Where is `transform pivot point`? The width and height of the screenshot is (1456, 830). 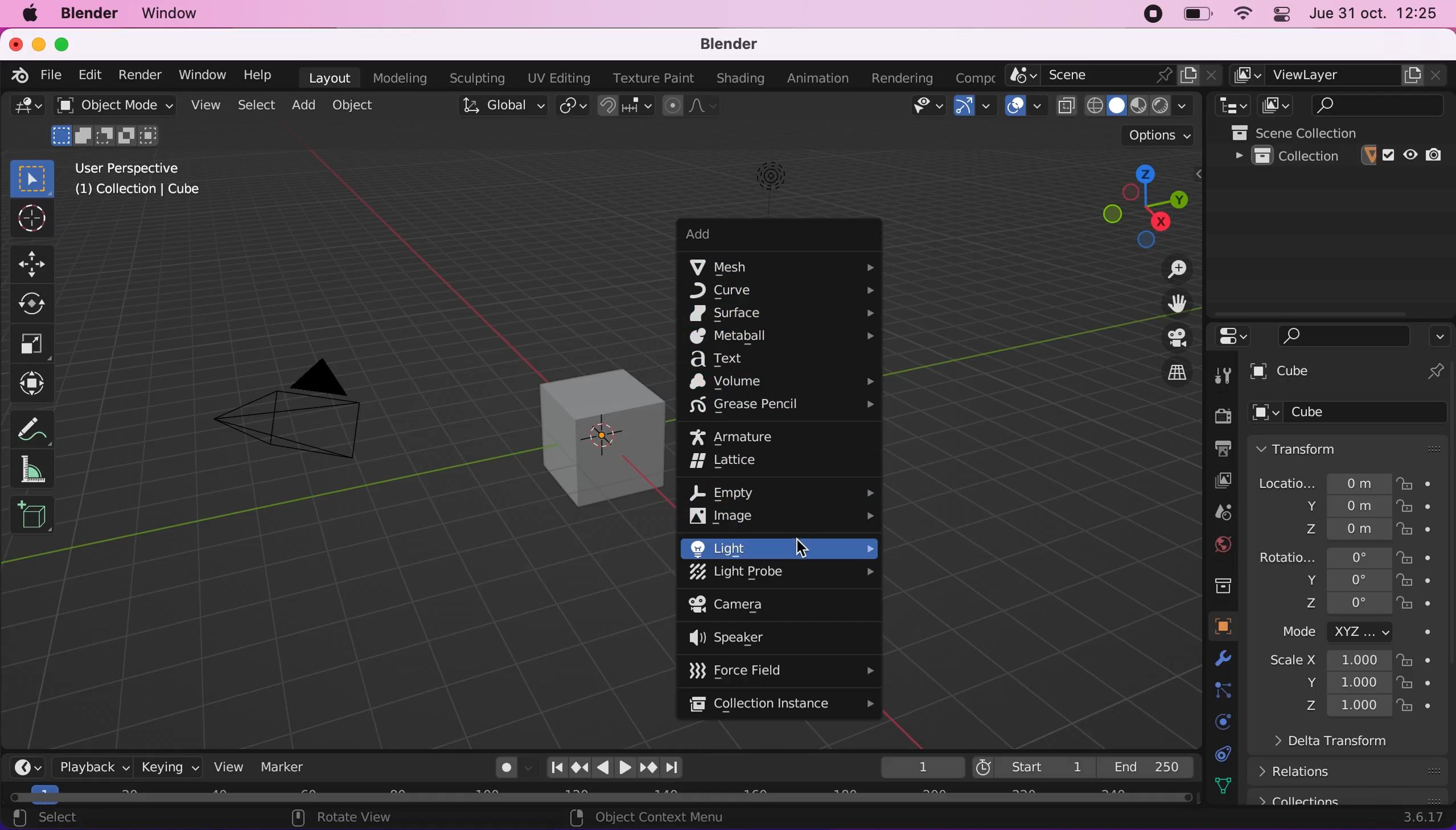
transform pivot point is located at coordinates (570, 107).